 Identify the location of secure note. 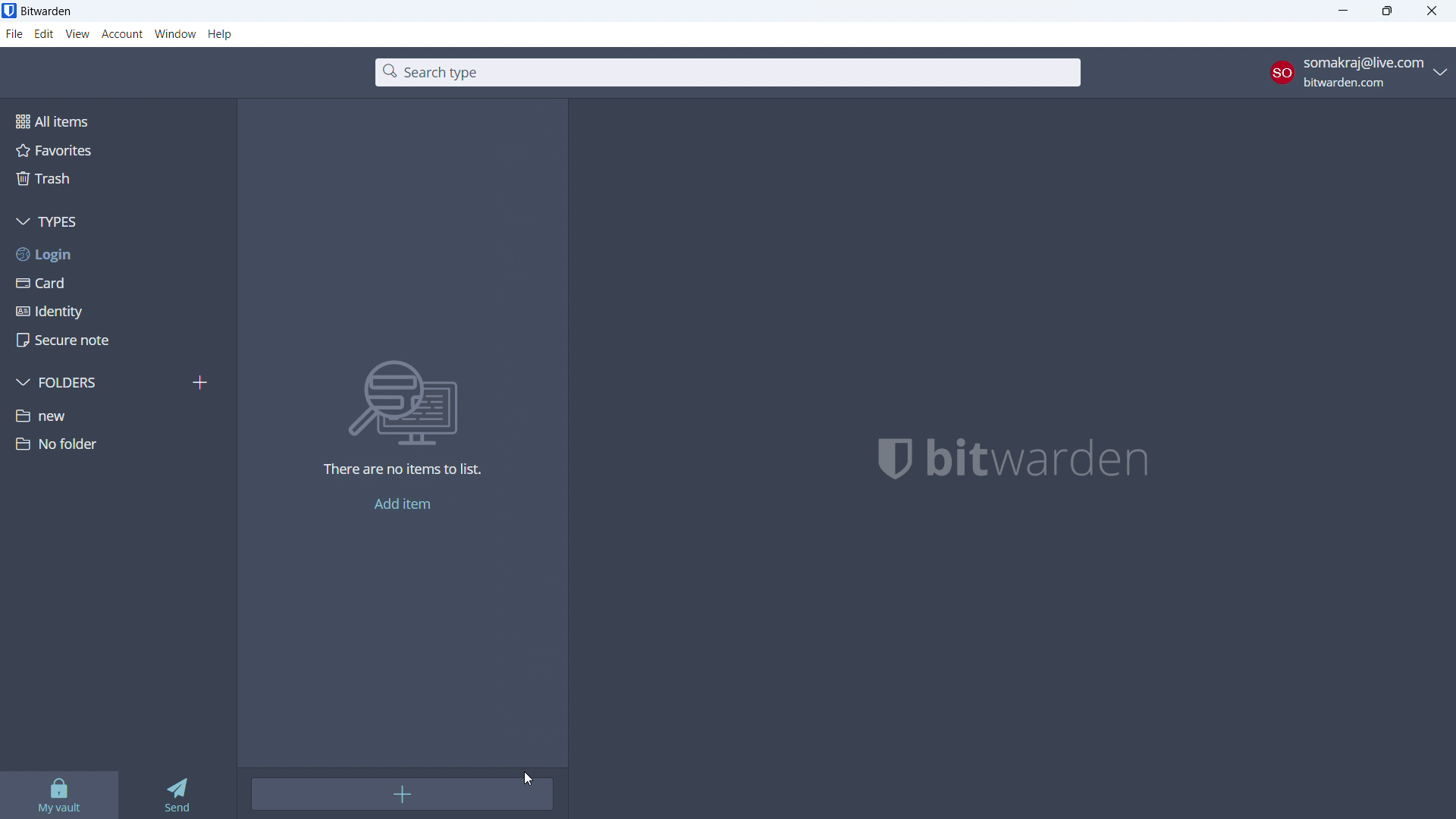
(118, 340).